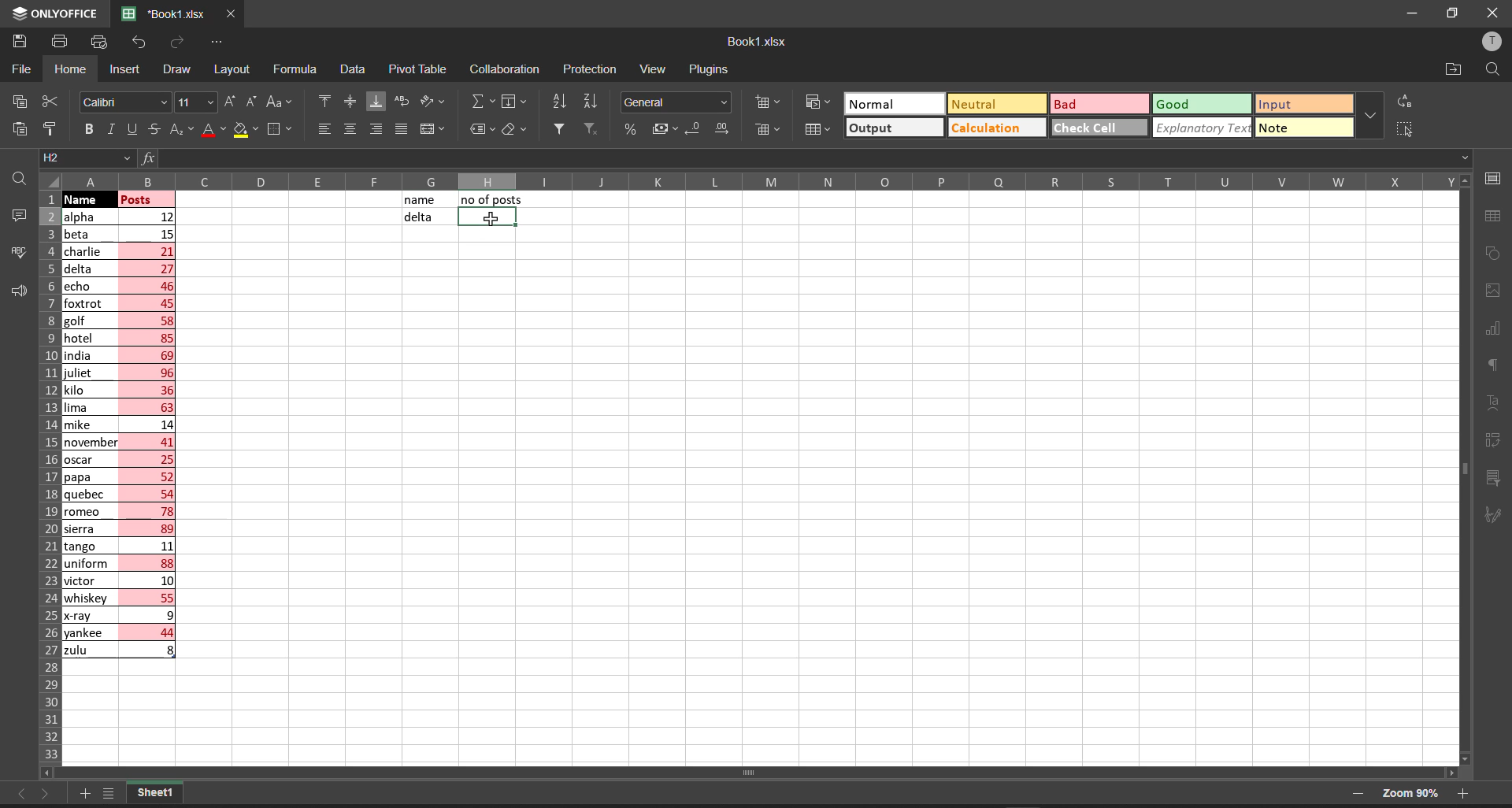 This screenshot has height=808, width=1512. Describe the element at coordinates (232, 14) in the screenshot. I see `close workbook` at that location.